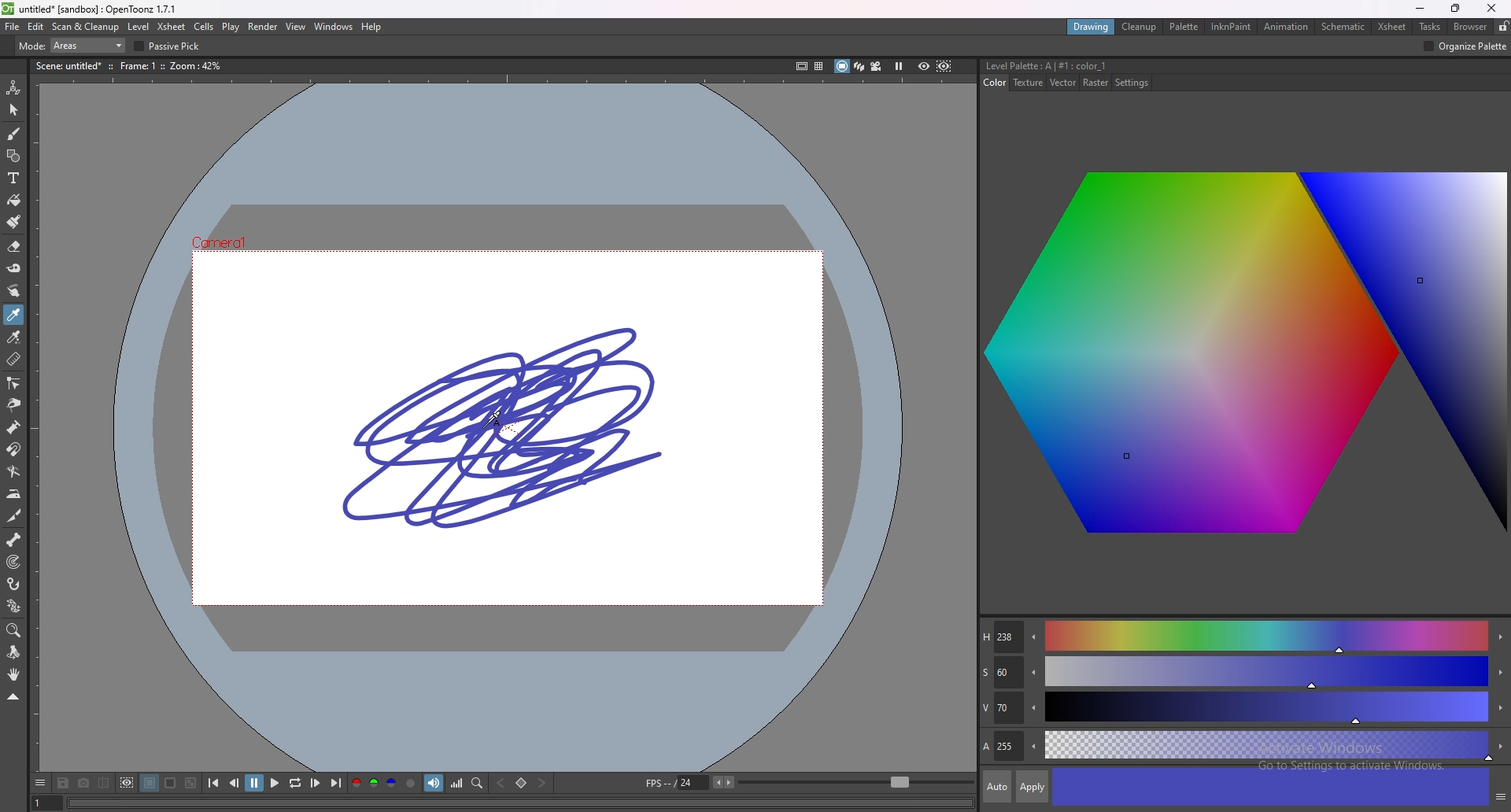 The width and height of the screenshot is (1511, 812). I want to click on ruler tool, so click(14, 360).